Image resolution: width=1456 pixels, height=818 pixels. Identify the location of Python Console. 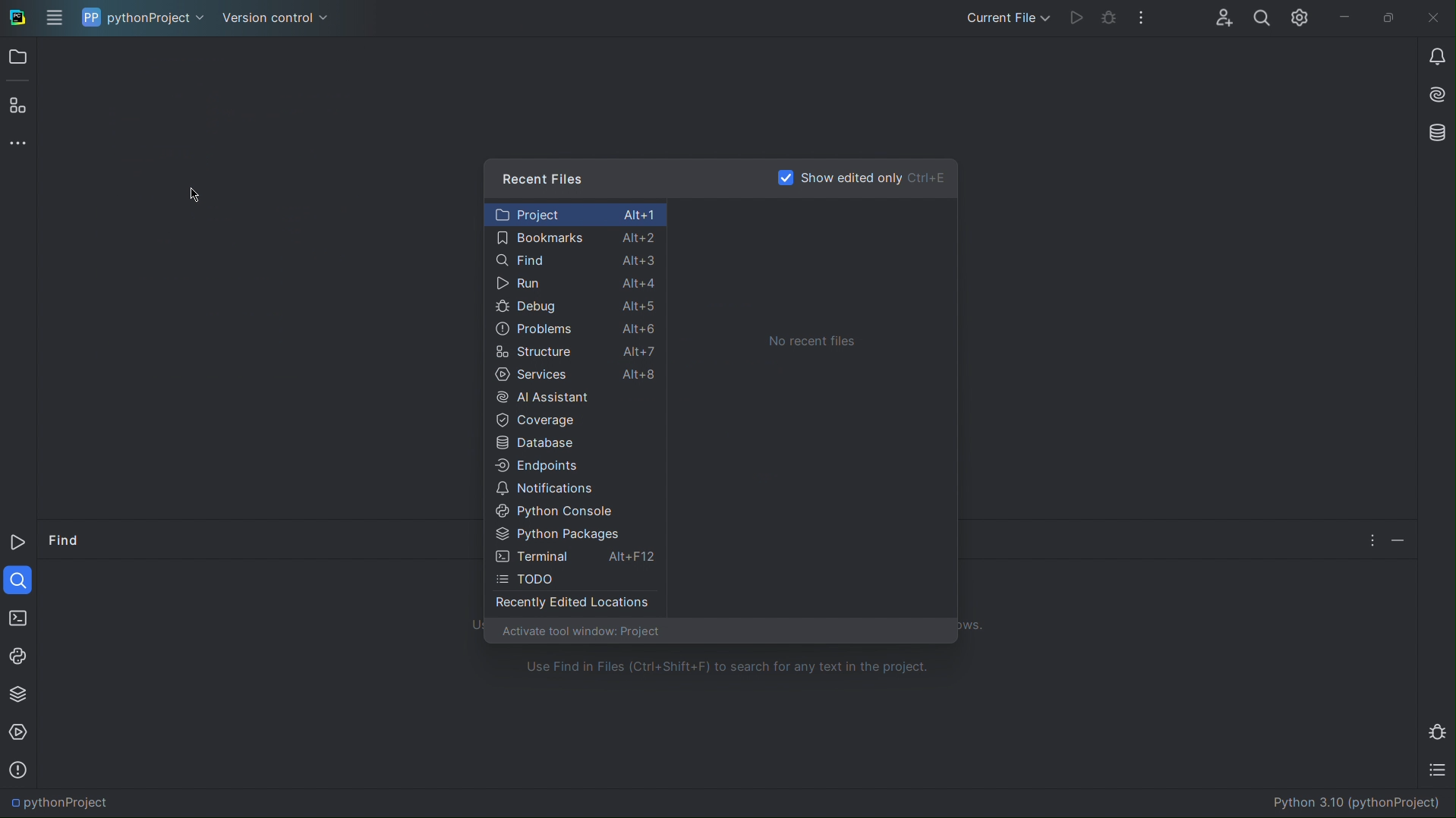
(19, 654).